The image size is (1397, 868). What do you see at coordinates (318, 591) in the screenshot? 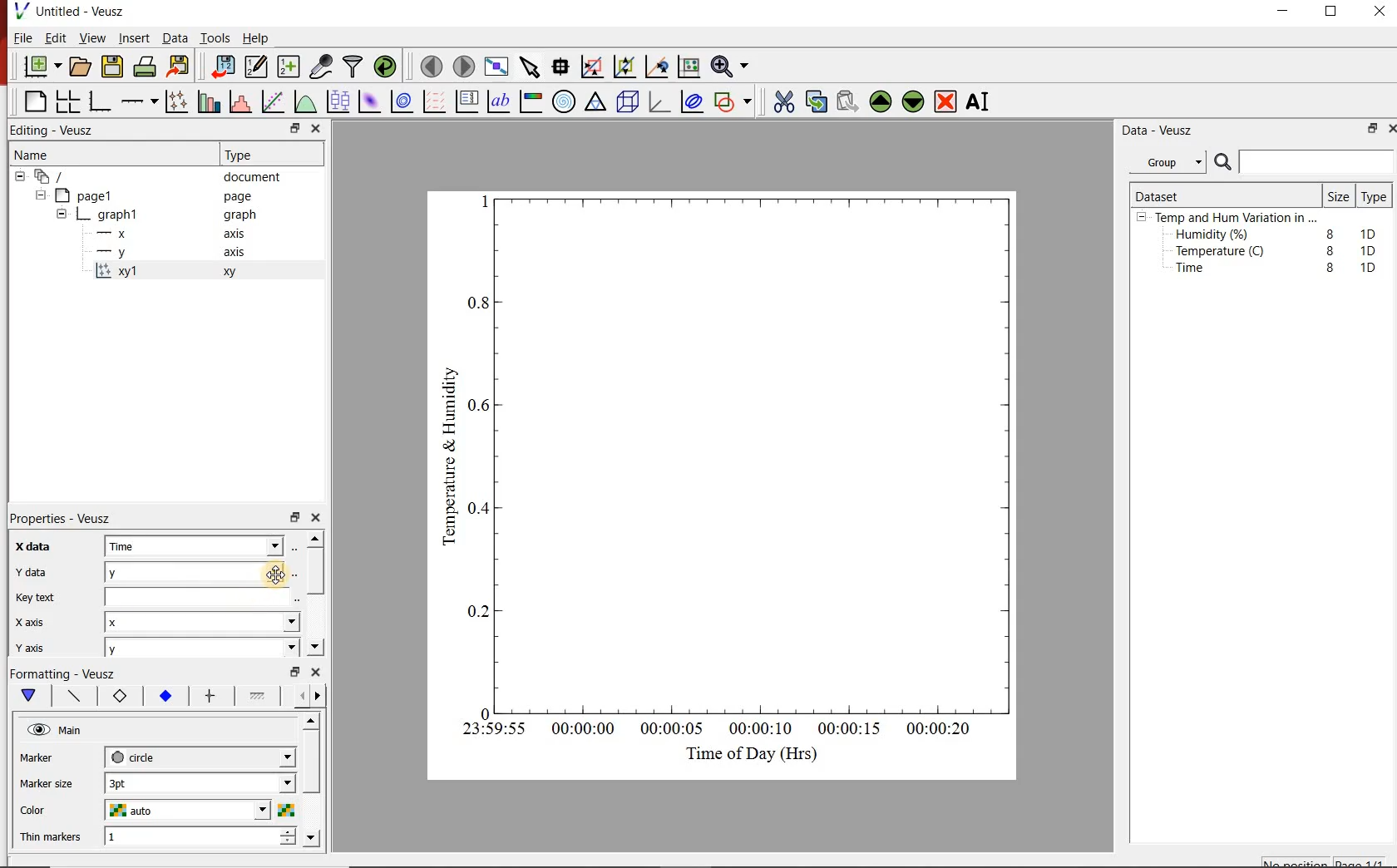
I see `scroll bar` at bounding box center [318, 591].